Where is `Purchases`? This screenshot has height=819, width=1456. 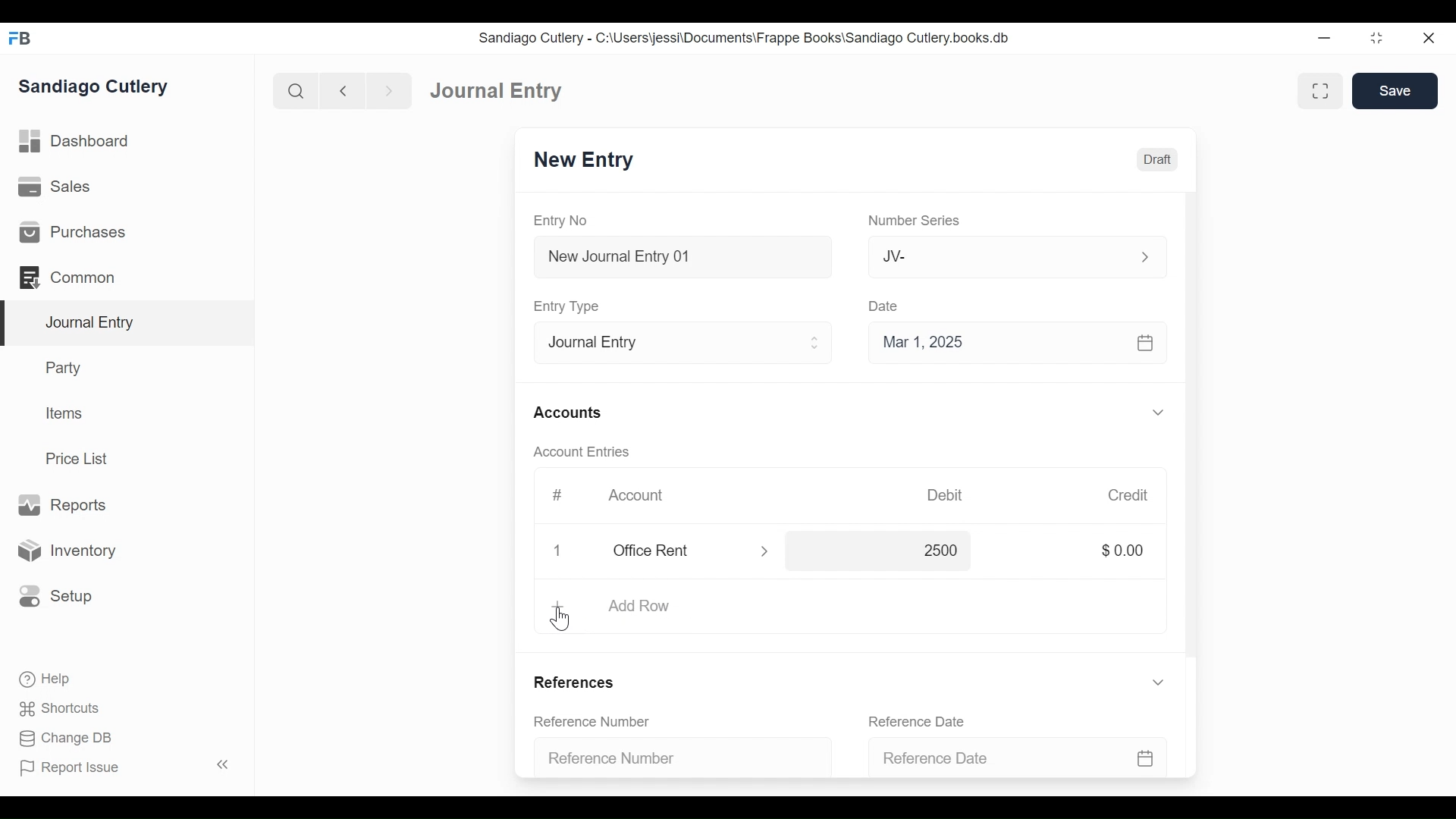
Purchases is located at coordinates (127, 231).